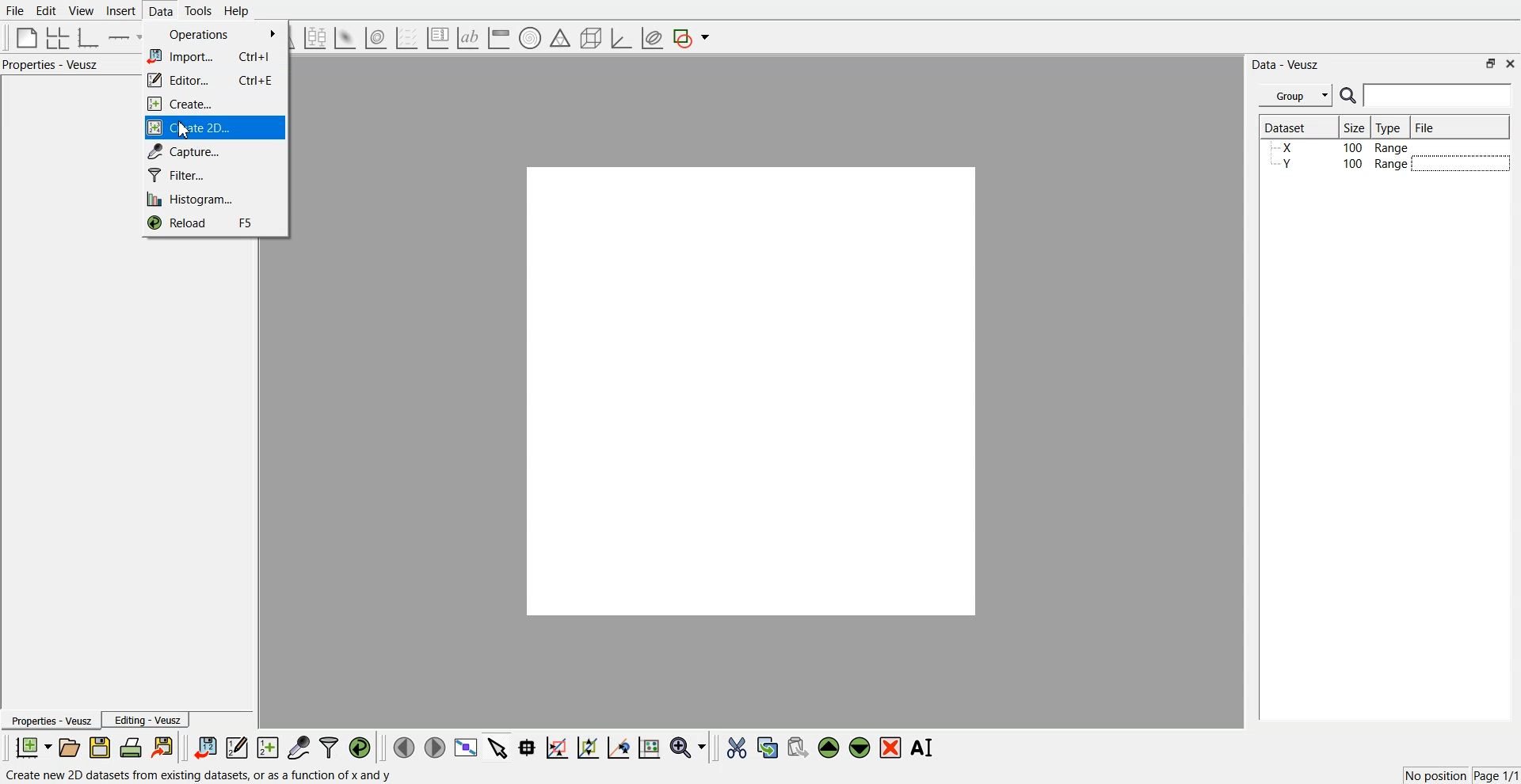 Image resolution: width=1521 pixels, height=784 pixels. Describe the element at coordinates (89, 38) in the screenshot. I see `Base Graph` at that location.